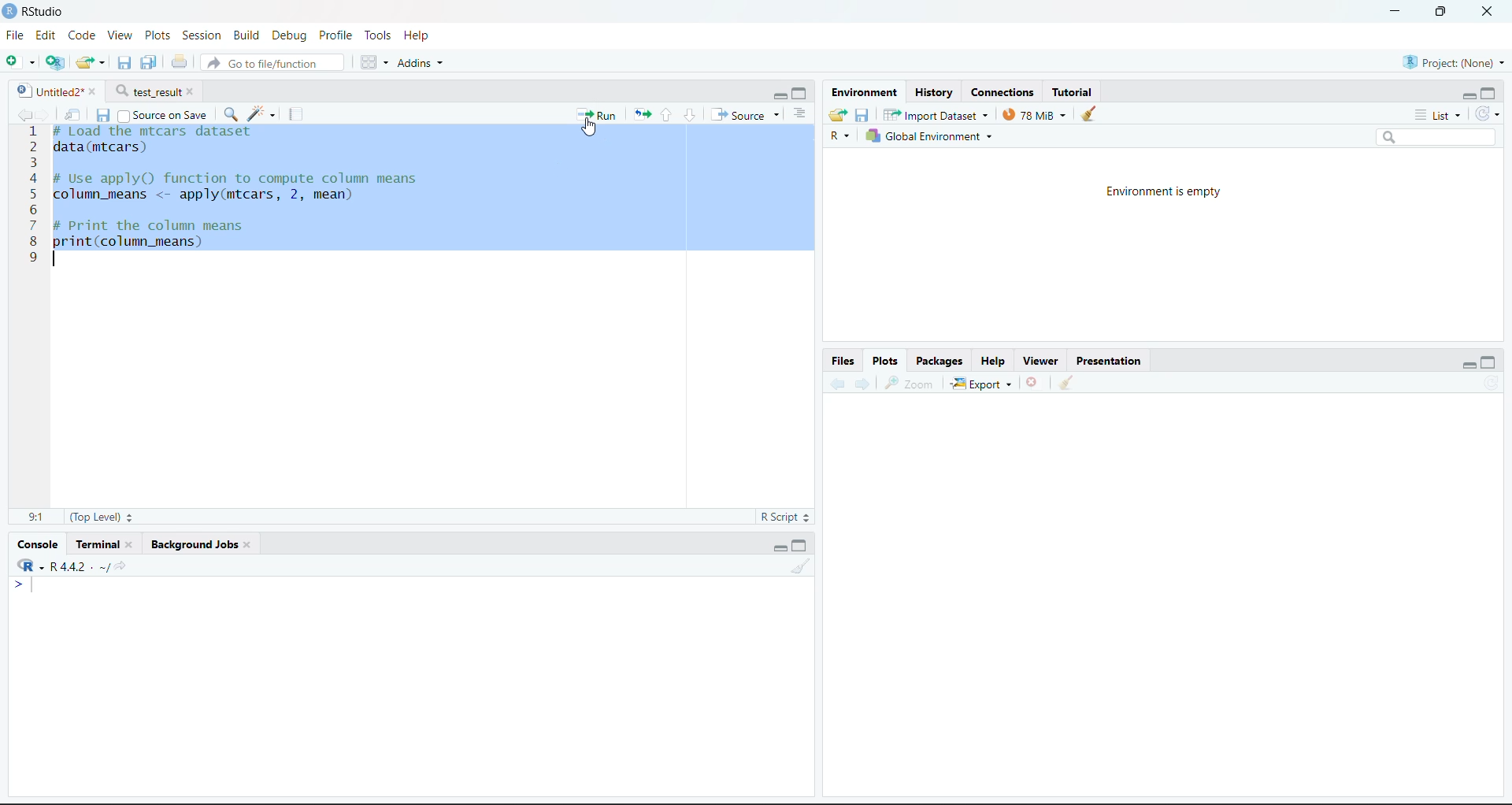  Describe the element at coordinates (839, 383) in the screenshot. I see `Go back to the previous source location (Ctrl + F9)` at that location.